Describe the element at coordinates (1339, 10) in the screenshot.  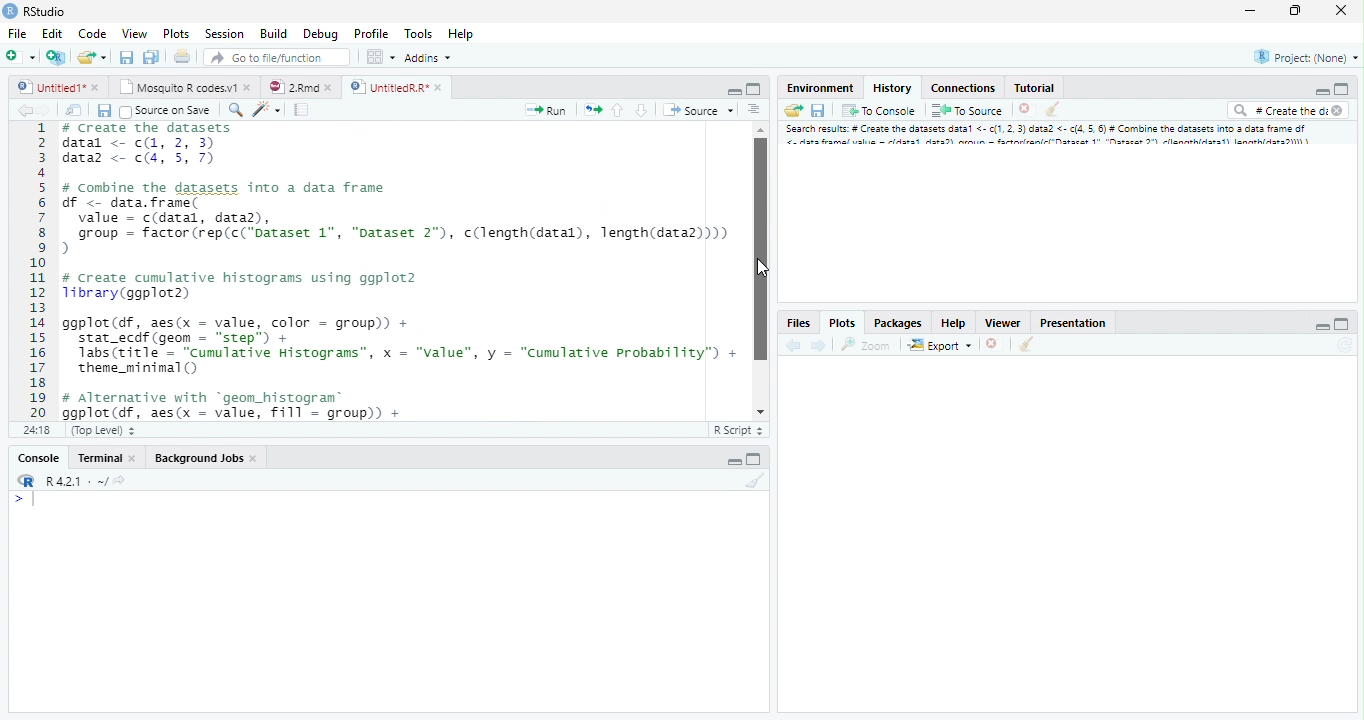
I see `Close` at that location.